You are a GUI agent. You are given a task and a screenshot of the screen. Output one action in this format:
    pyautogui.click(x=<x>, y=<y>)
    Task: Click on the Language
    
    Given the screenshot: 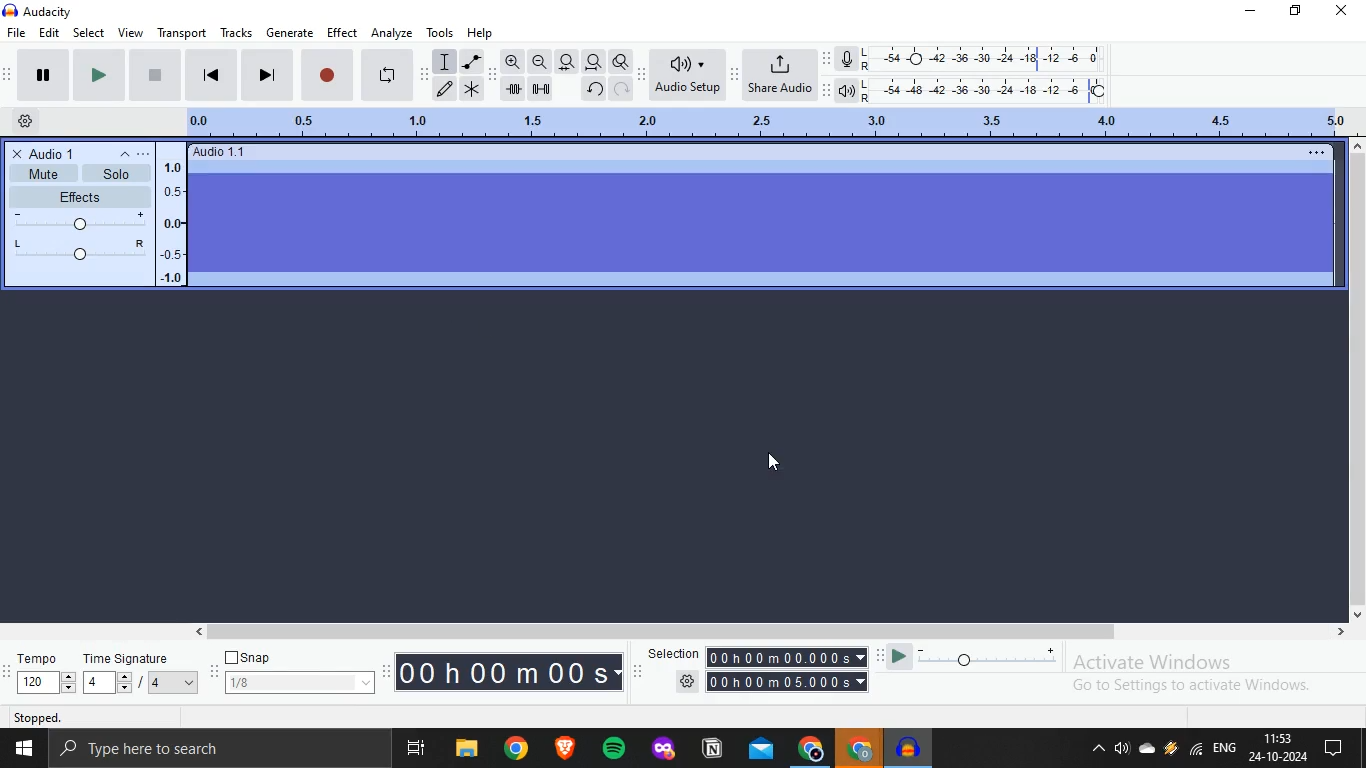 What is the action you would take?
    pyautogui.click(x=1228, y=748)
    